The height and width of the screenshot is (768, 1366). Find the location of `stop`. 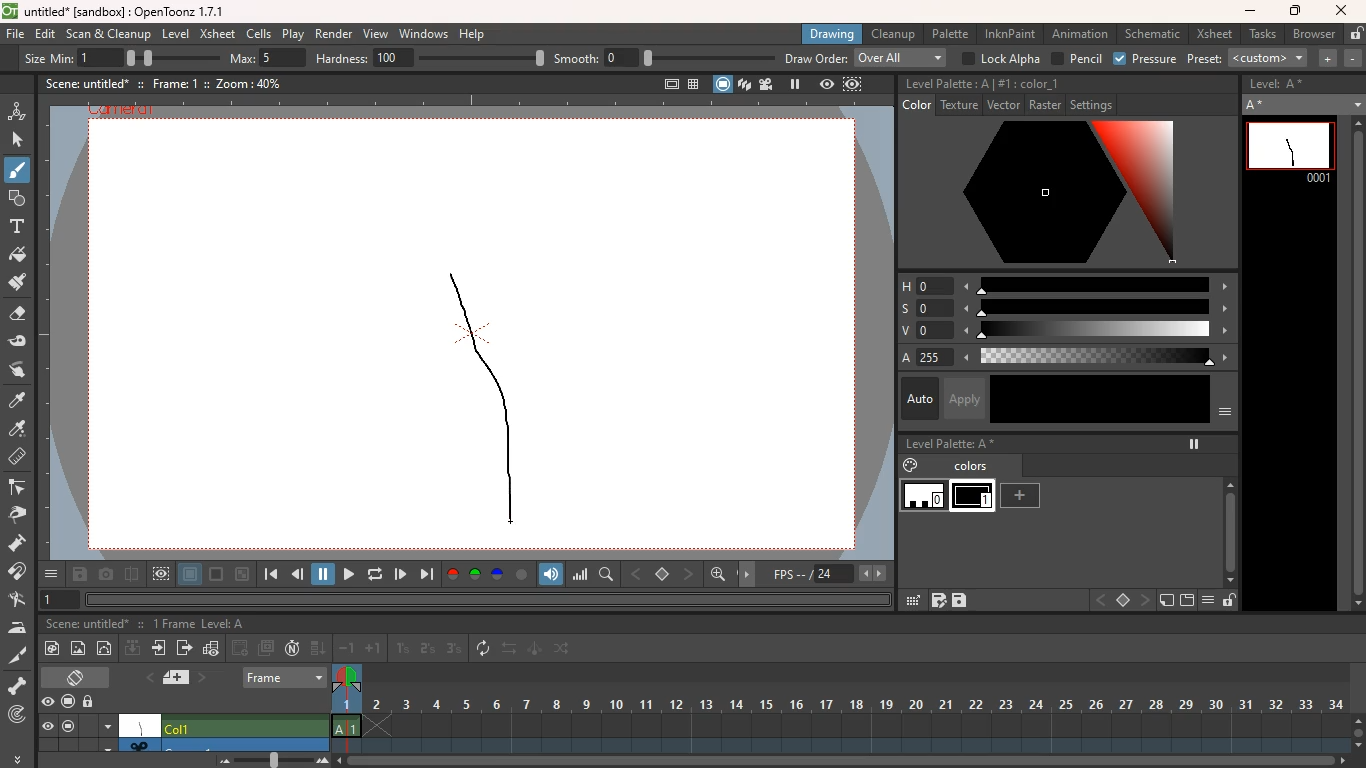

stop is located at coordinates (664, 575).